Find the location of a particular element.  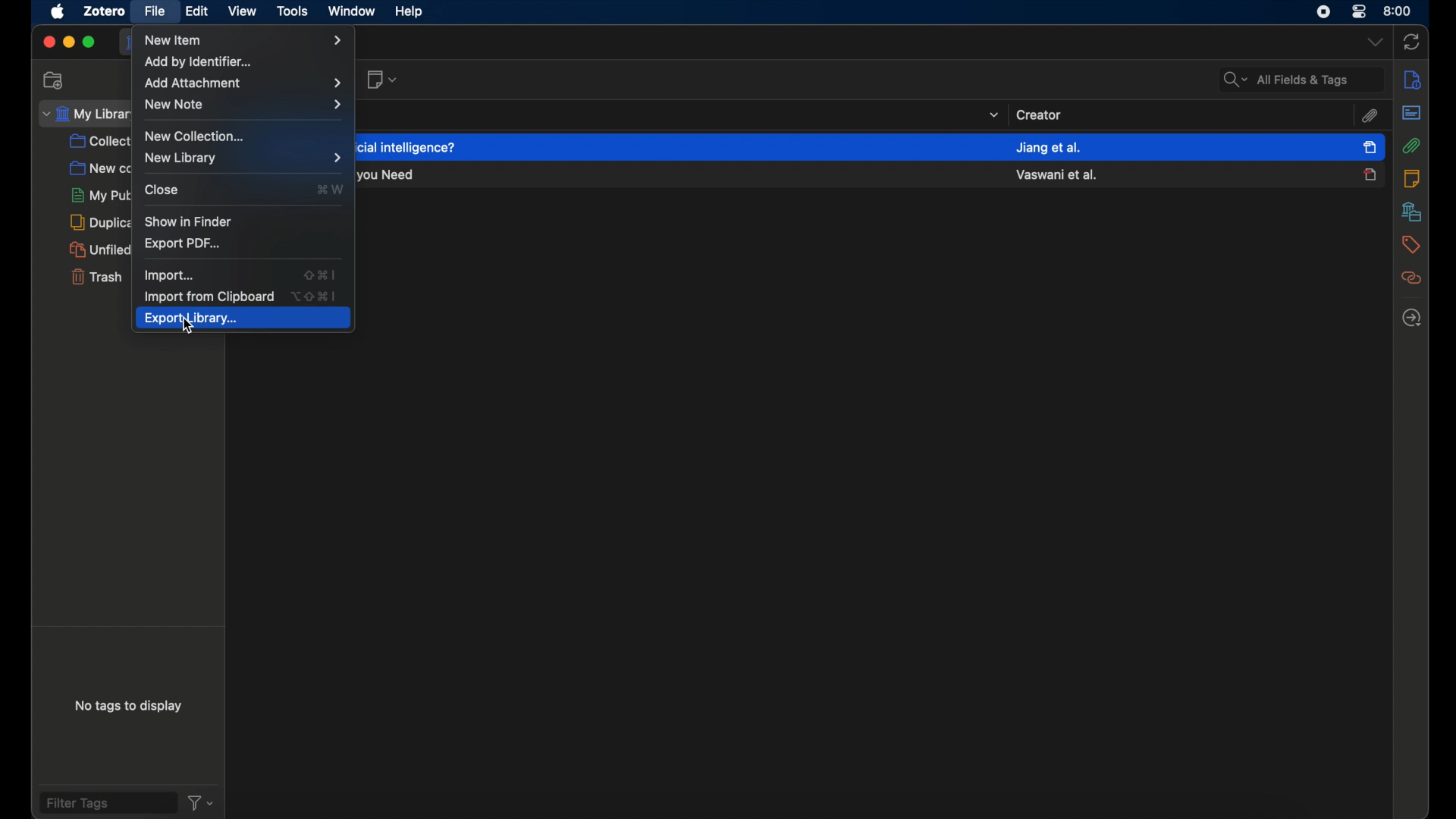

new library menu is located at coordinates (338, 158).